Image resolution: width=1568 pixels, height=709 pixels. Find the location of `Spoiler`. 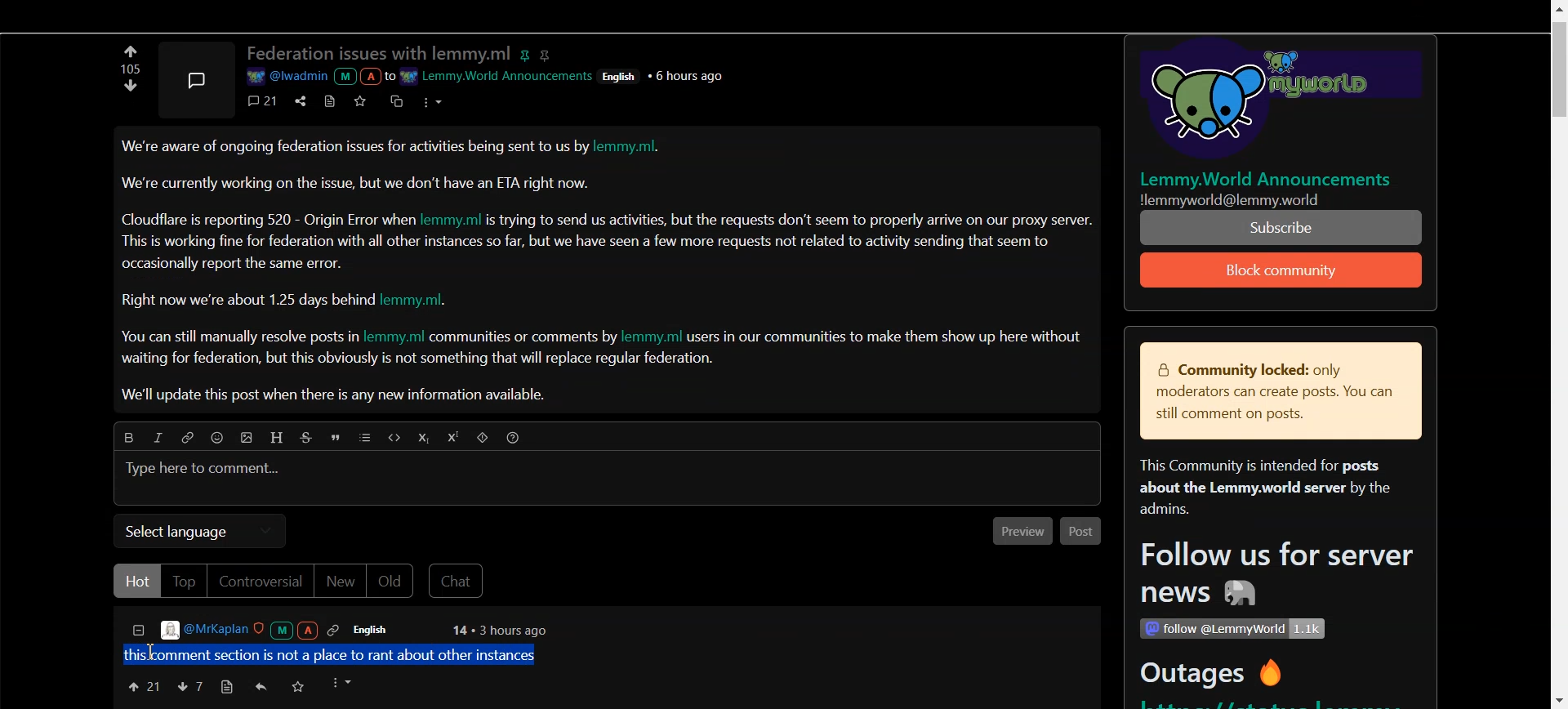

Spoiler is located at coordinates (484, 439).